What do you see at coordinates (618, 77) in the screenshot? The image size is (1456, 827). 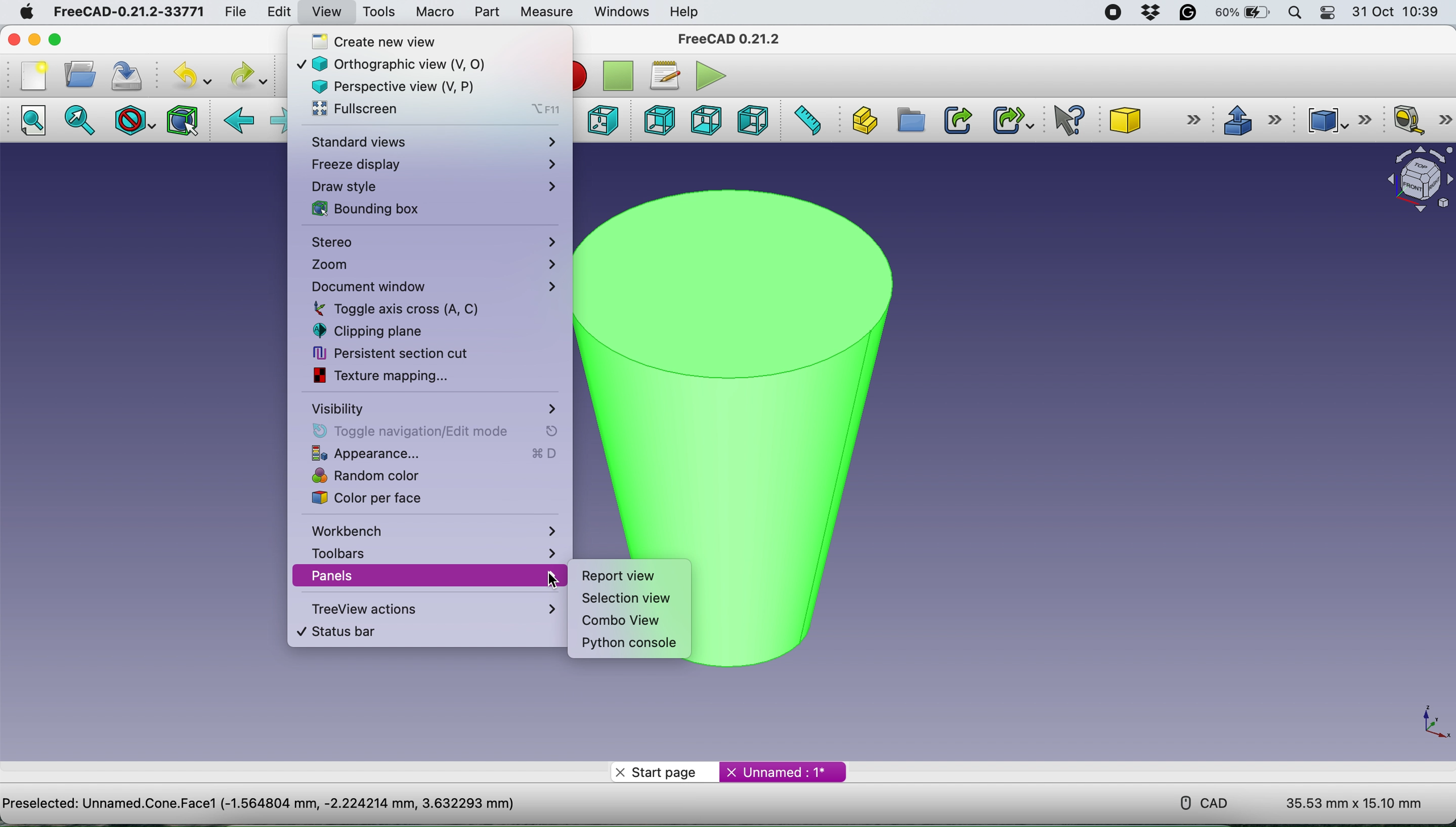 I see `step recording macros` at bounding box center [618, 77].